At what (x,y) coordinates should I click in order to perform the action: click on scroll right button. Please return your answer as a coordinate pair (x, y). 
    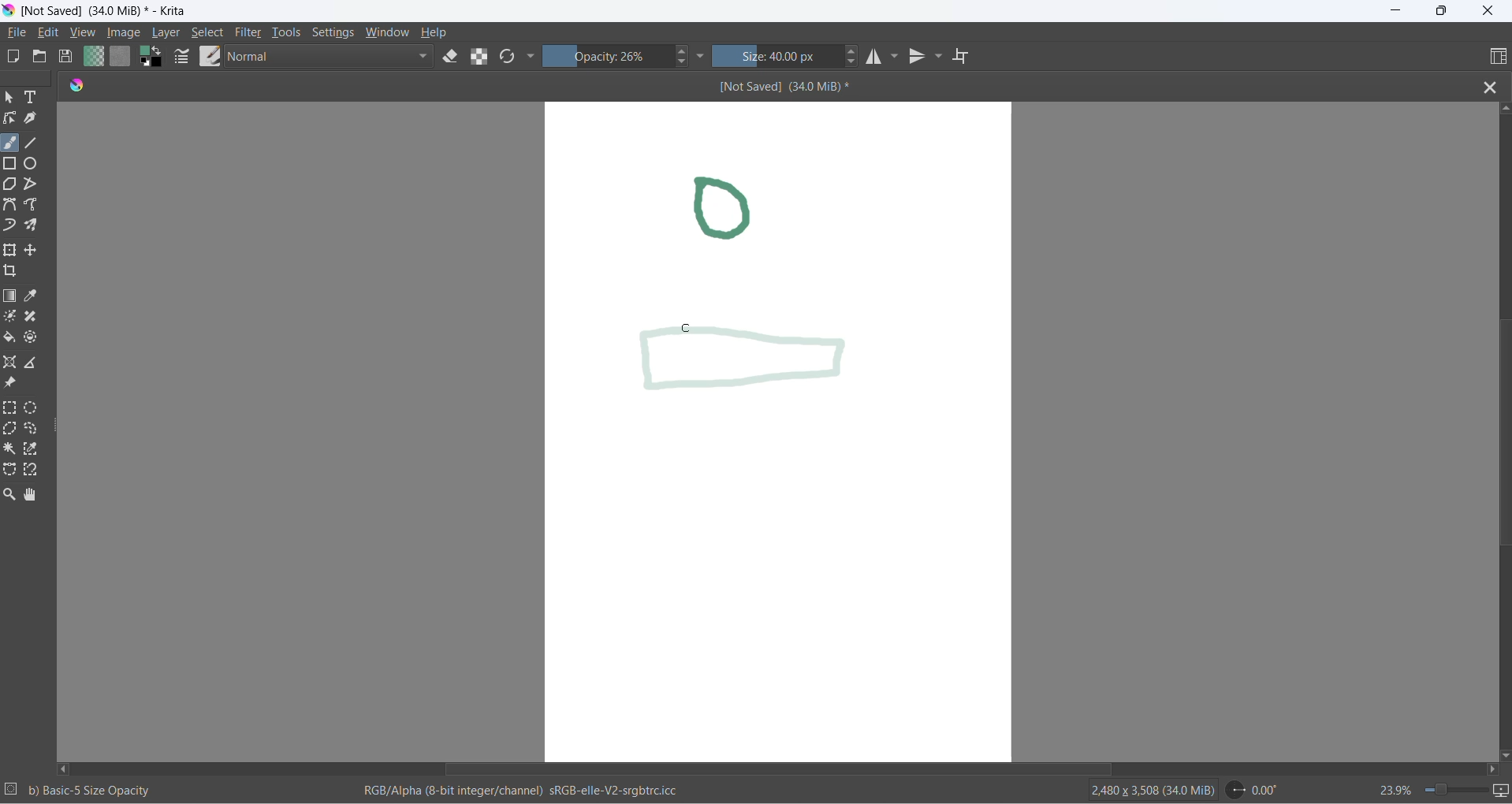
    Looking at the image, I should click on (1497, 769).